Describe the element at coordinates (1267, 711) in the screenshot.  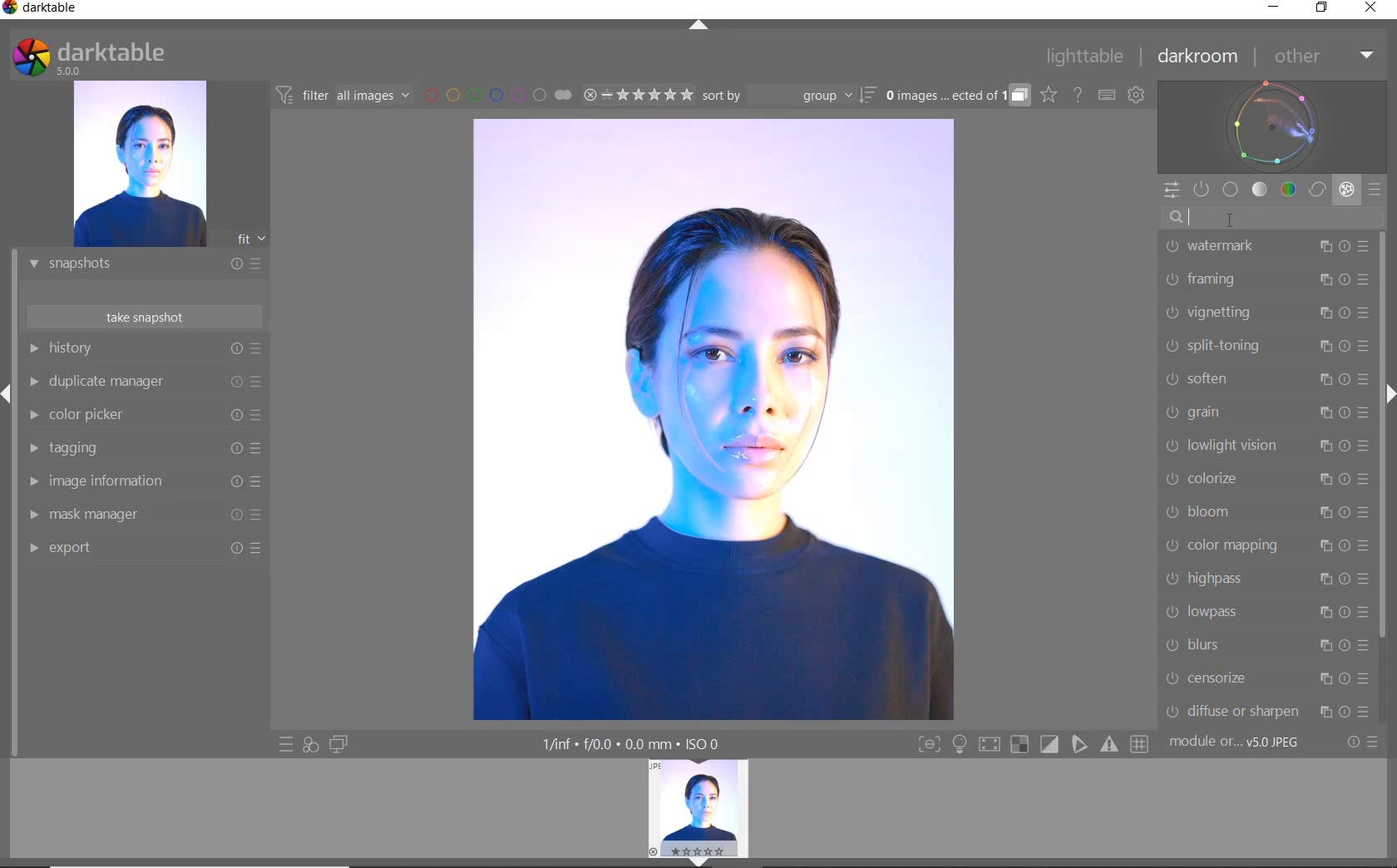
I see `DIFFUSE OR SHARPEN` at that location.